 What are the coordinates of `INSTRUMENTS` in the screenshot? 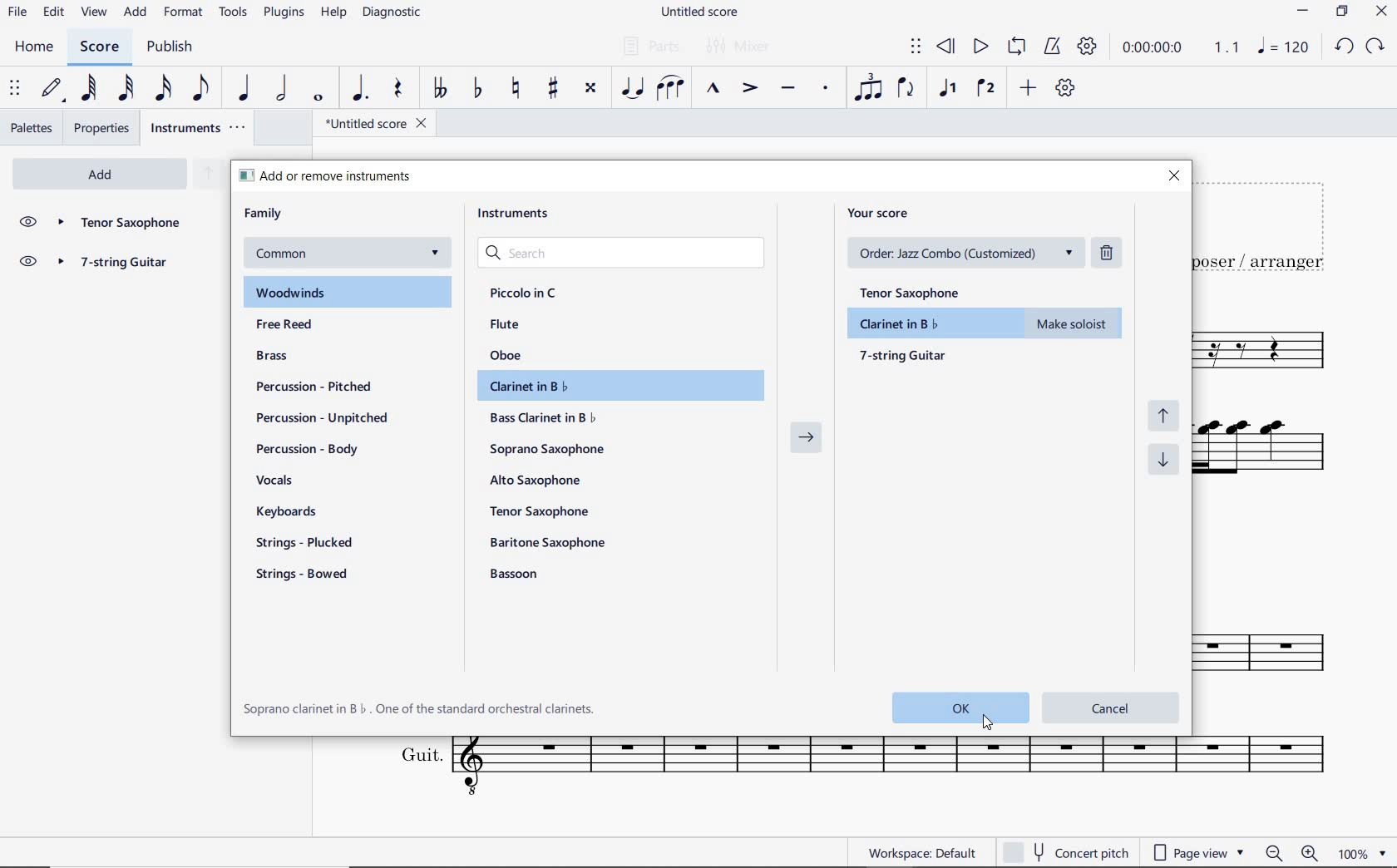 It's located at (200, 127).